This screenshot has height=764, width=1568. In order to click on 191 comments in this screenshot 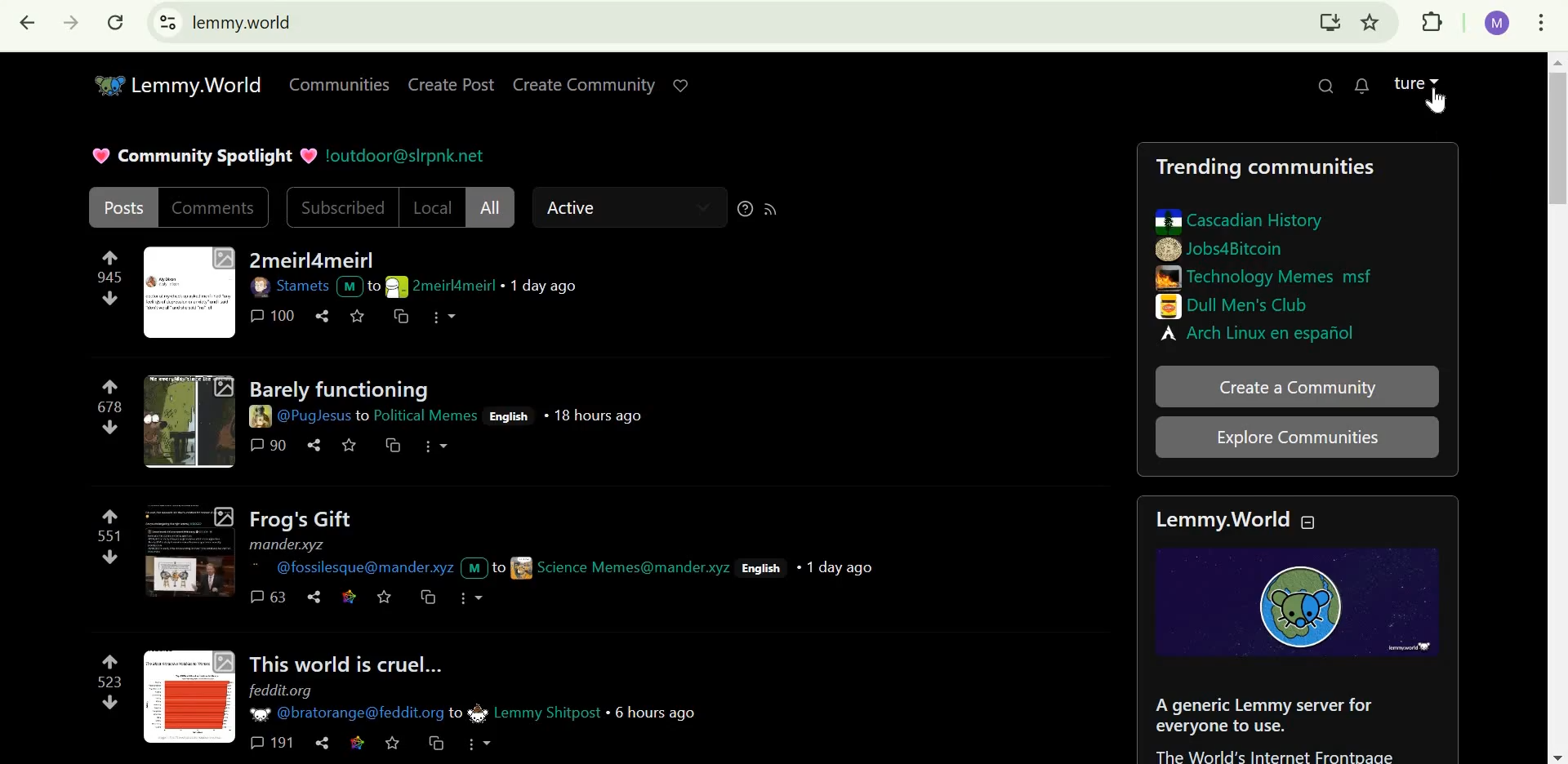, I will do `click(273, 744)`.